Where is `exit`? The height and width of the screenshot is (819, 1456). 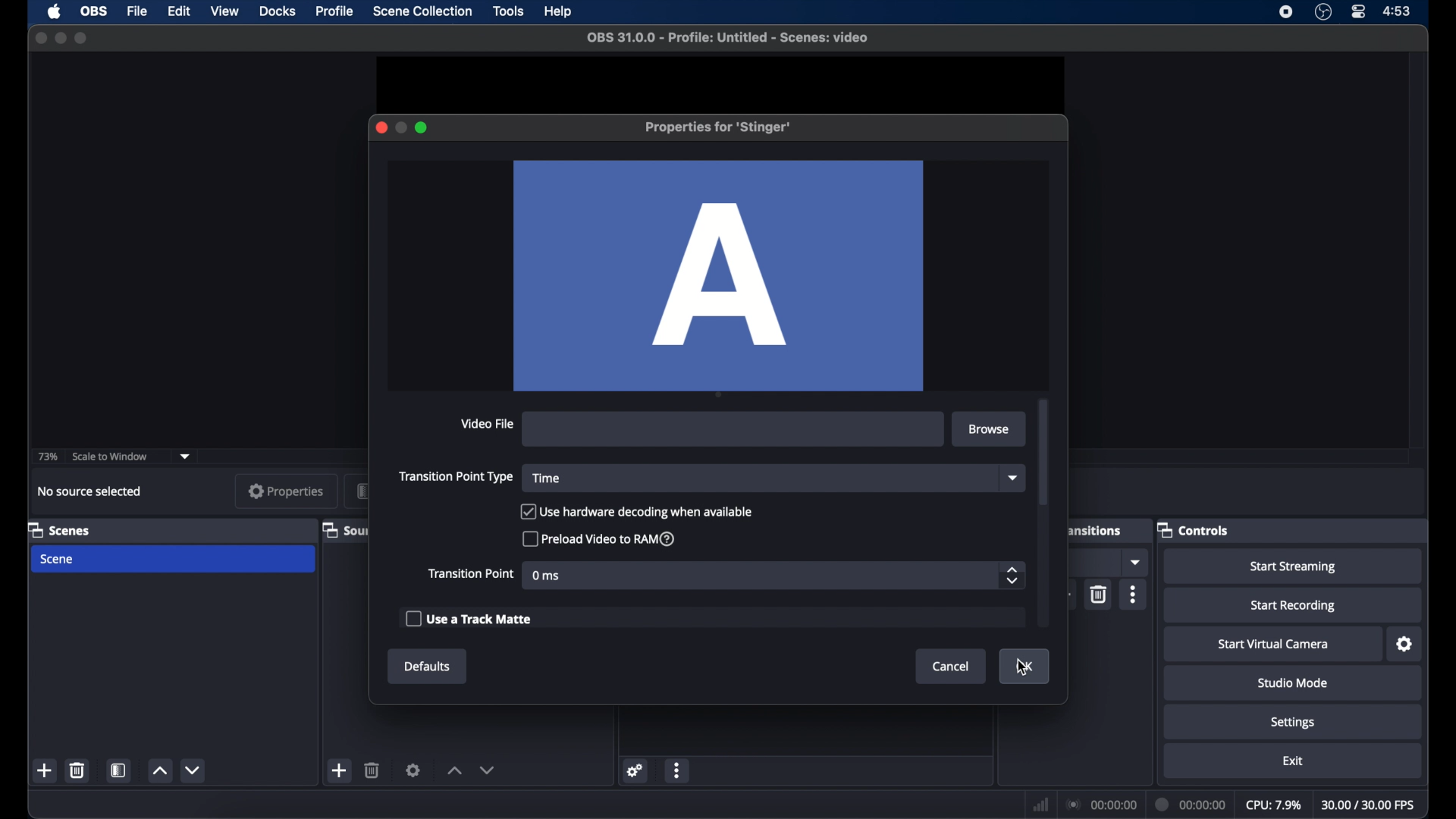 exit is located at coordinates (1293, 761).